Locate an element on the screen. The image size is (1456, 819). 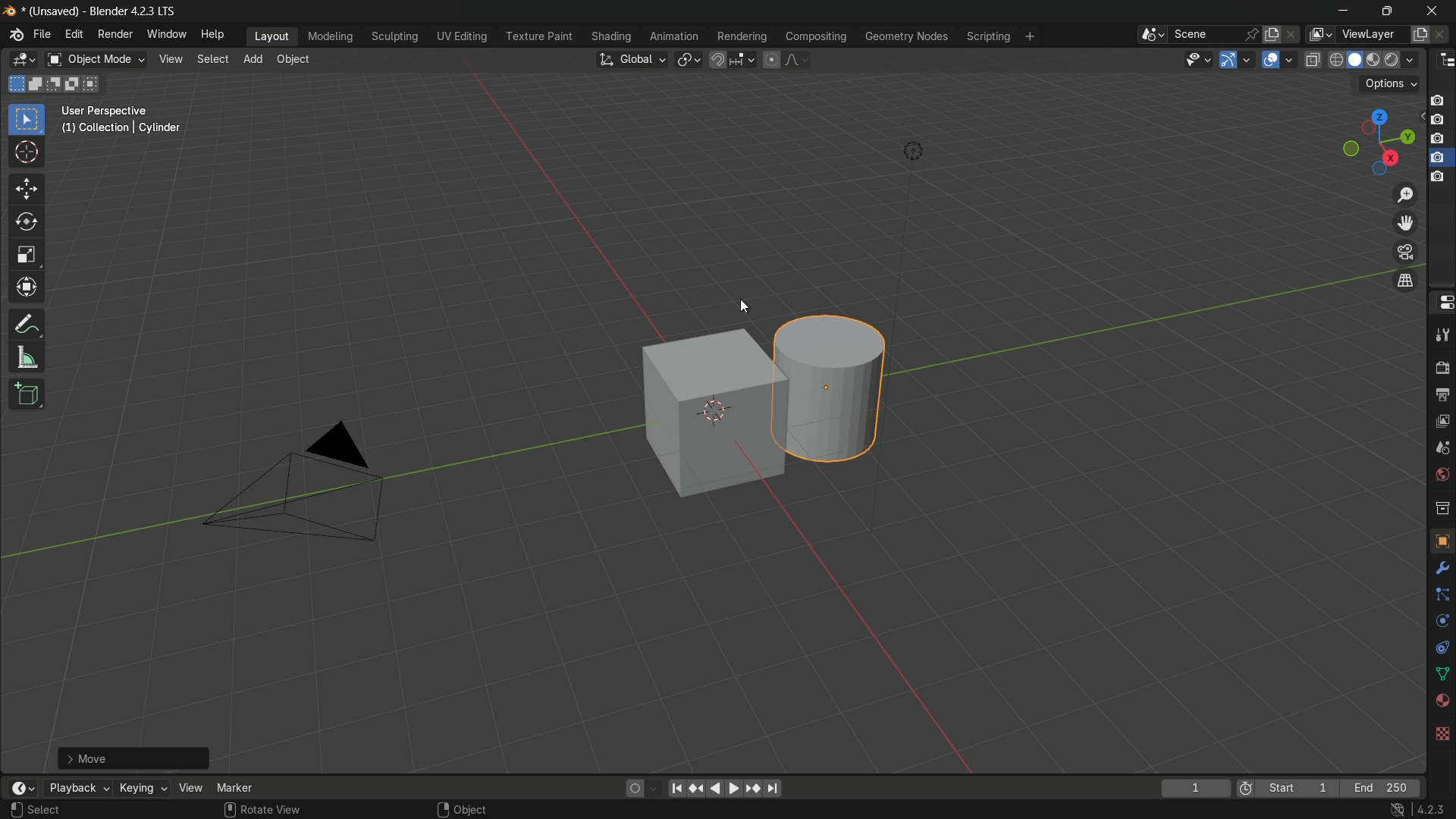
zoom in/out is located at coordinates (1405, 194).